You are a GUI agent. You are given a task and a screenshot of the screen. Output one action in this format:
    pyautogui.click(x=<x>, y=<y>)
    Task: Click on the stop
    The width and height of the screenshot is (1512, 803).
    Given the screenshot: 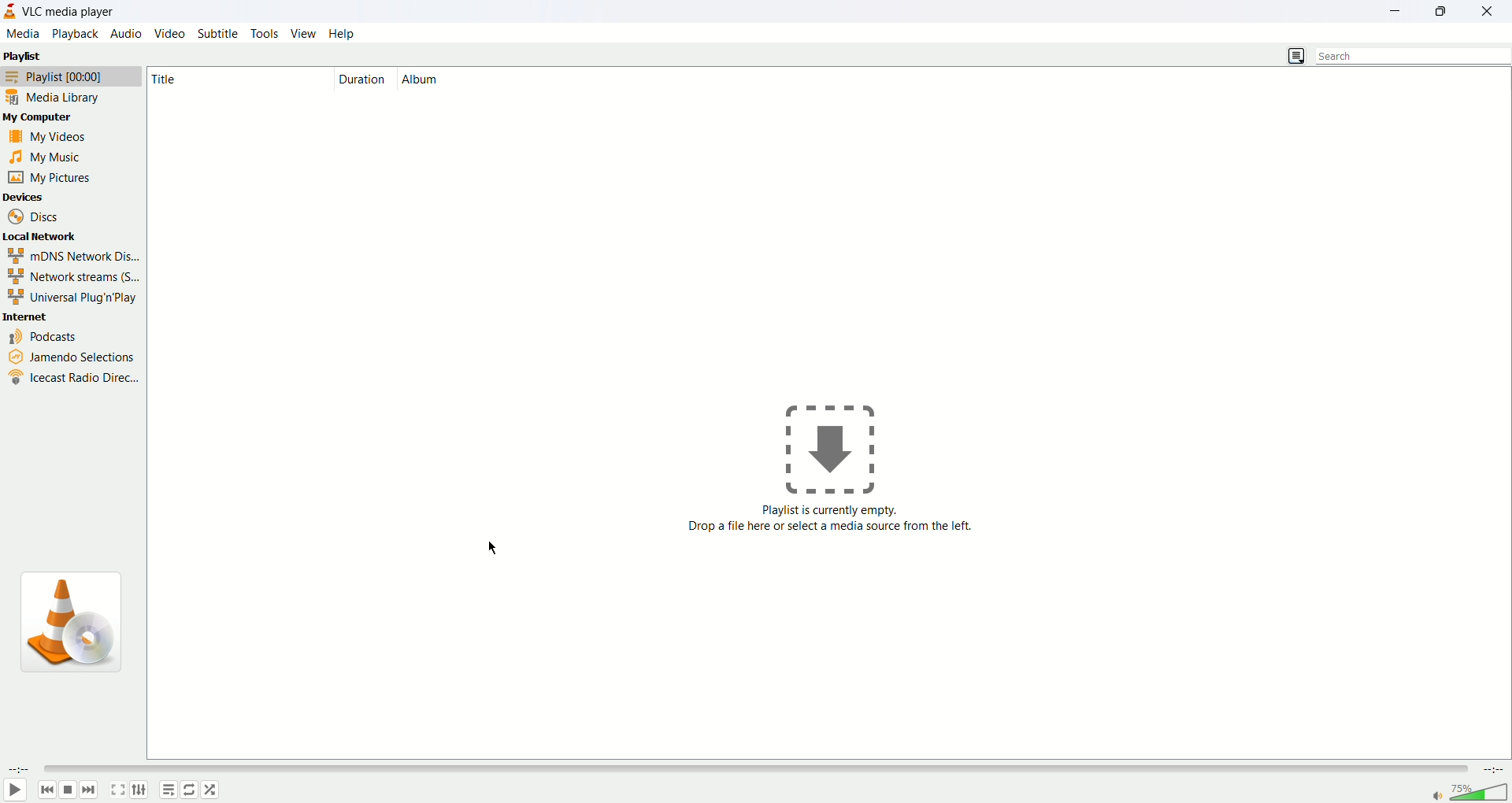 What is the action you would take?
    pyautogui.click(x=67, y=790)
    